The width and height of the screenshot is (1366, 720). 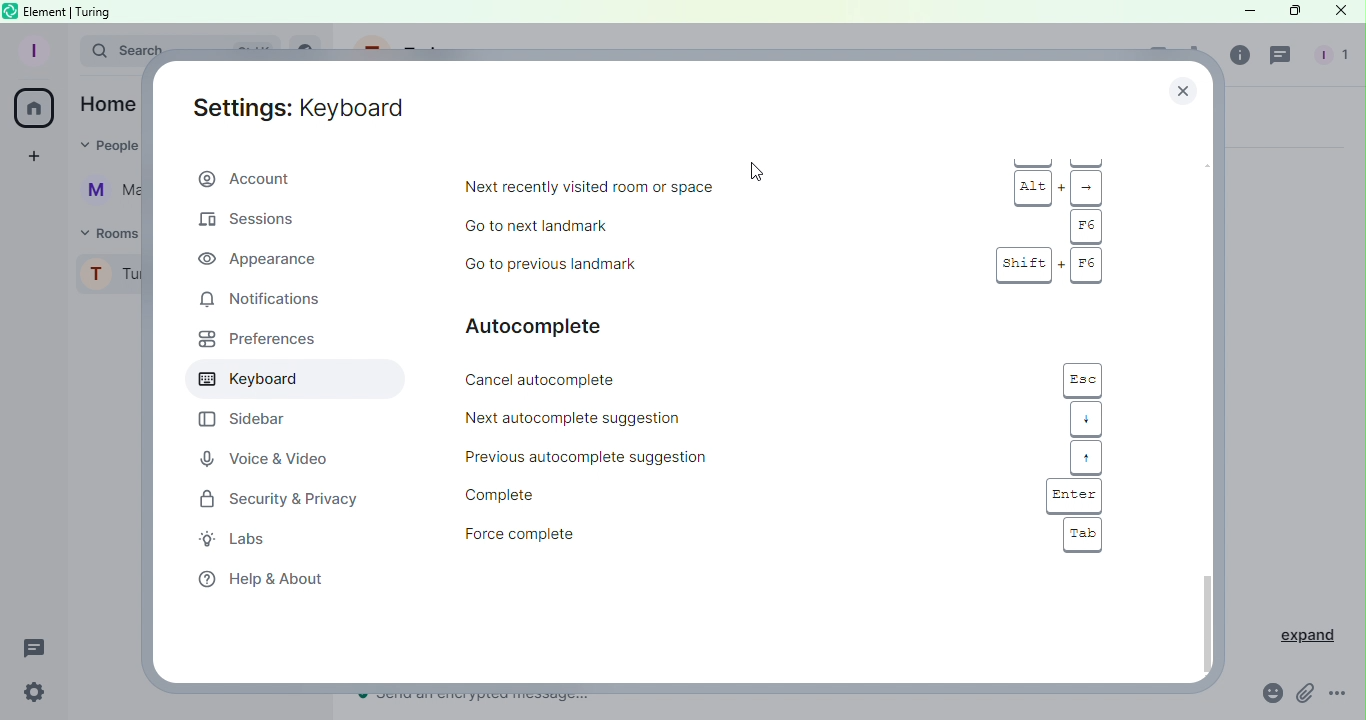 What do you see at coordinates (1059, 187) in the screenshot?
I see `alt + right arrow` at bounding box center [1059, 187].